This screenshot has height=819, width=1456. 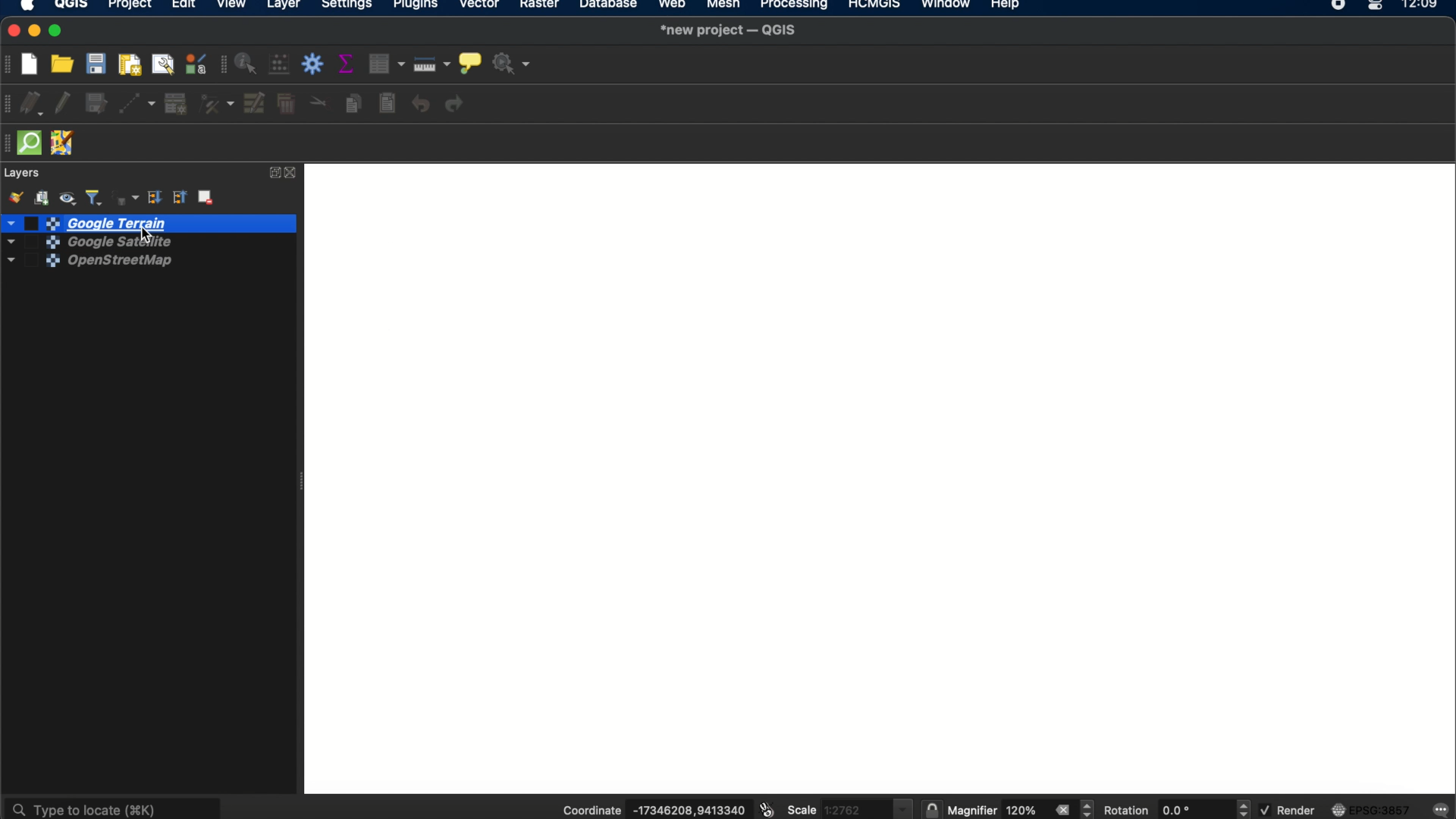 I want to click on attributes toolbar, so click(x=221, y=65).